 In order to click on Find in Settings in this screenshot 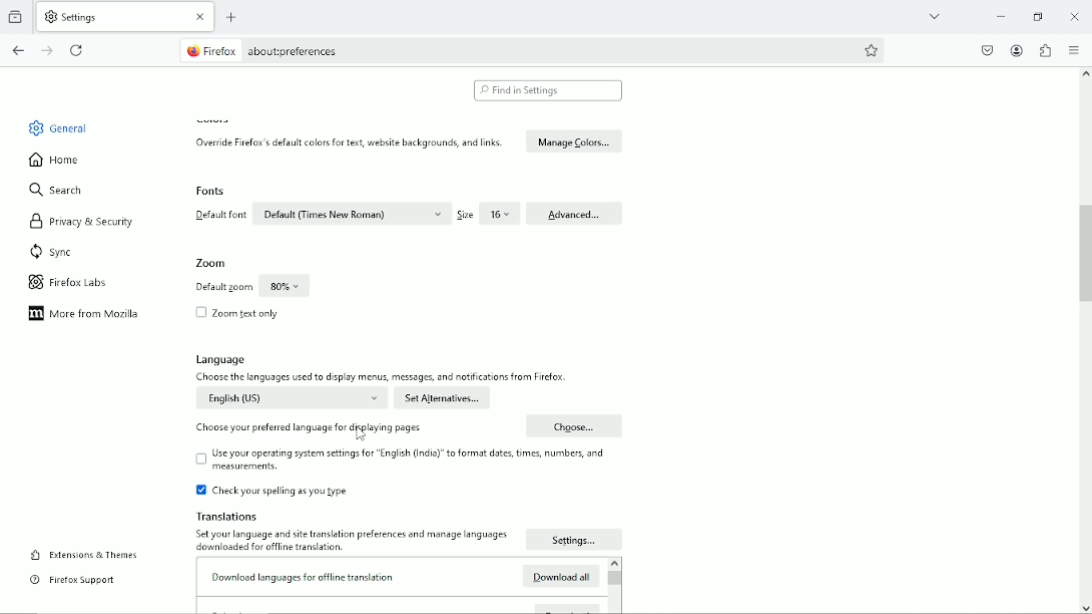, I will do `click(547, 91)`.